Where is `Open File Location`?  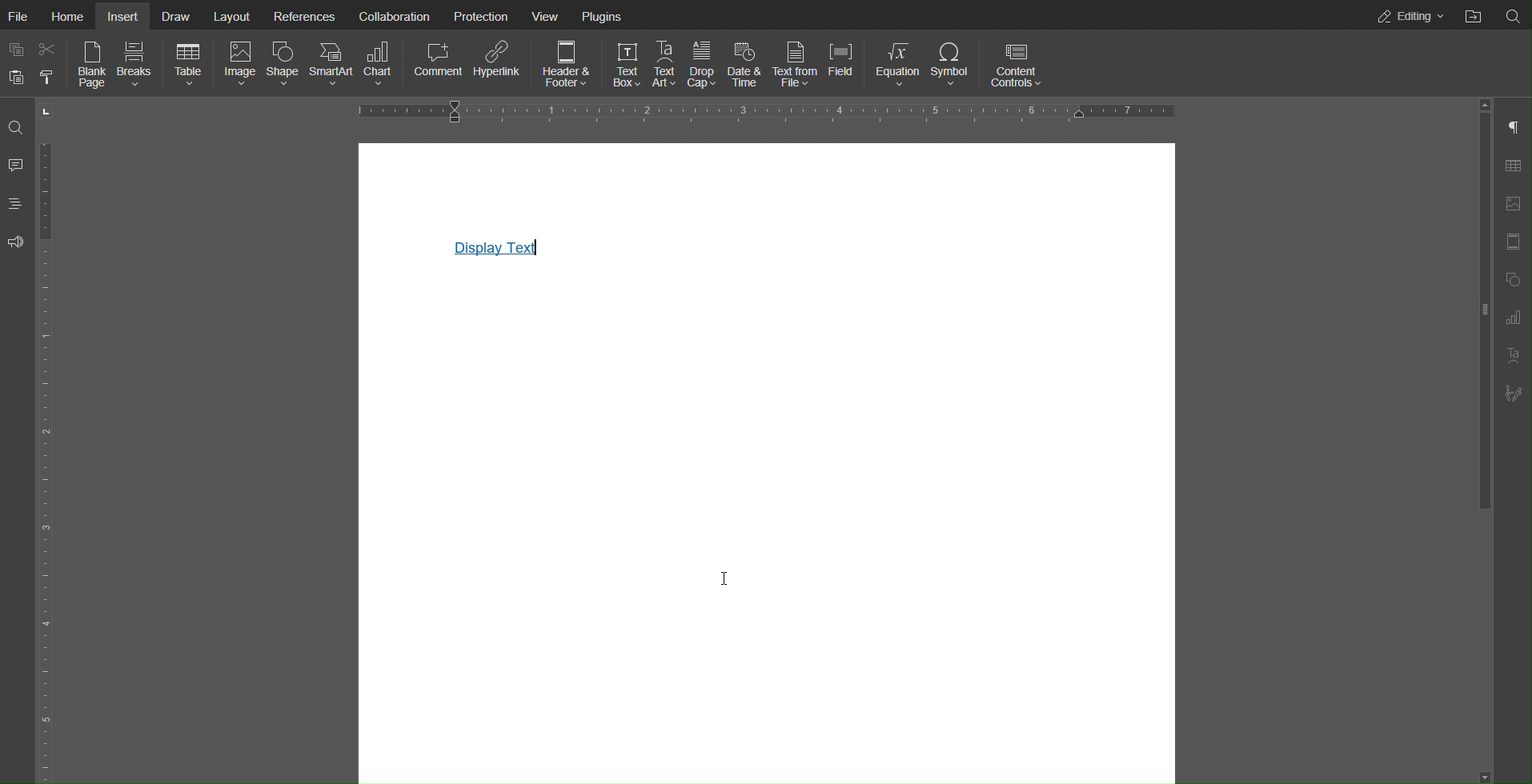
Open File Location is located at coordinates (1474, 15).